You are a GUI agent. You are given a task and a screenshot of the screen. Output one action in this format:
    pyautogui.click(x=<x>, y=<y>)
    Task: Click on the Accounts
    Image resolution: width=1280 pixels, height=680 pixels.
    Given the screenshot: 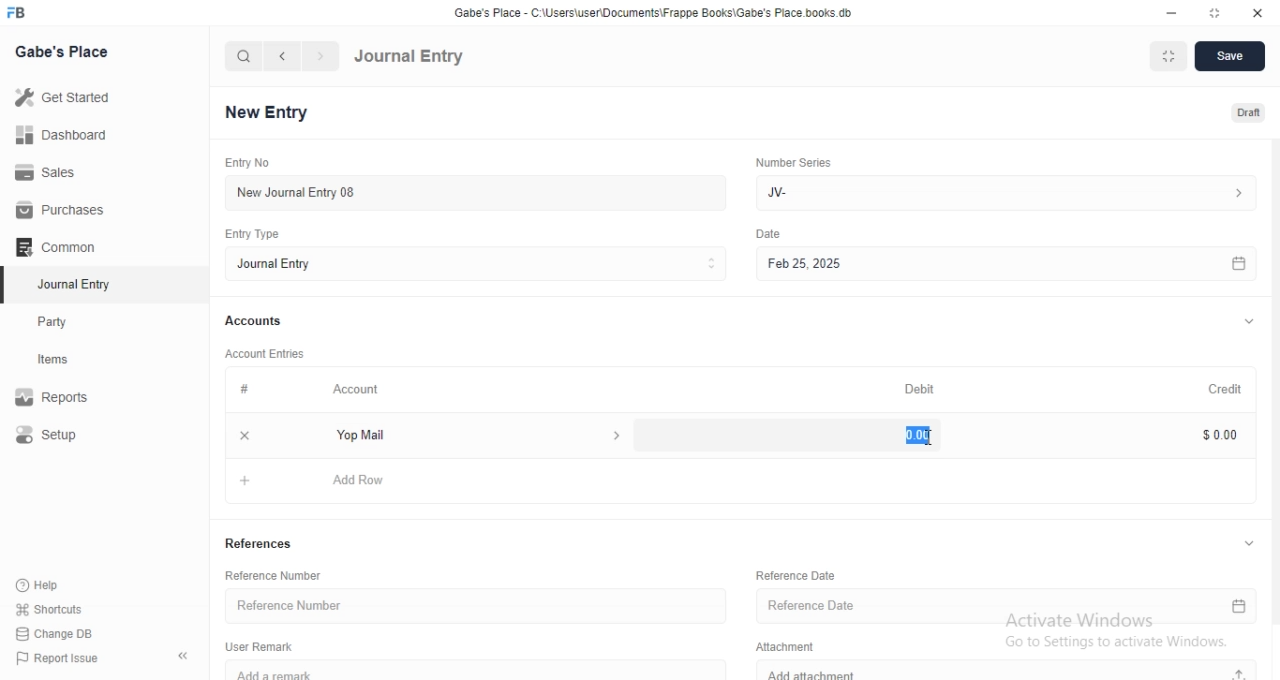 What is the action you would take?
    pyautogui.click(x=255, y=322)
    